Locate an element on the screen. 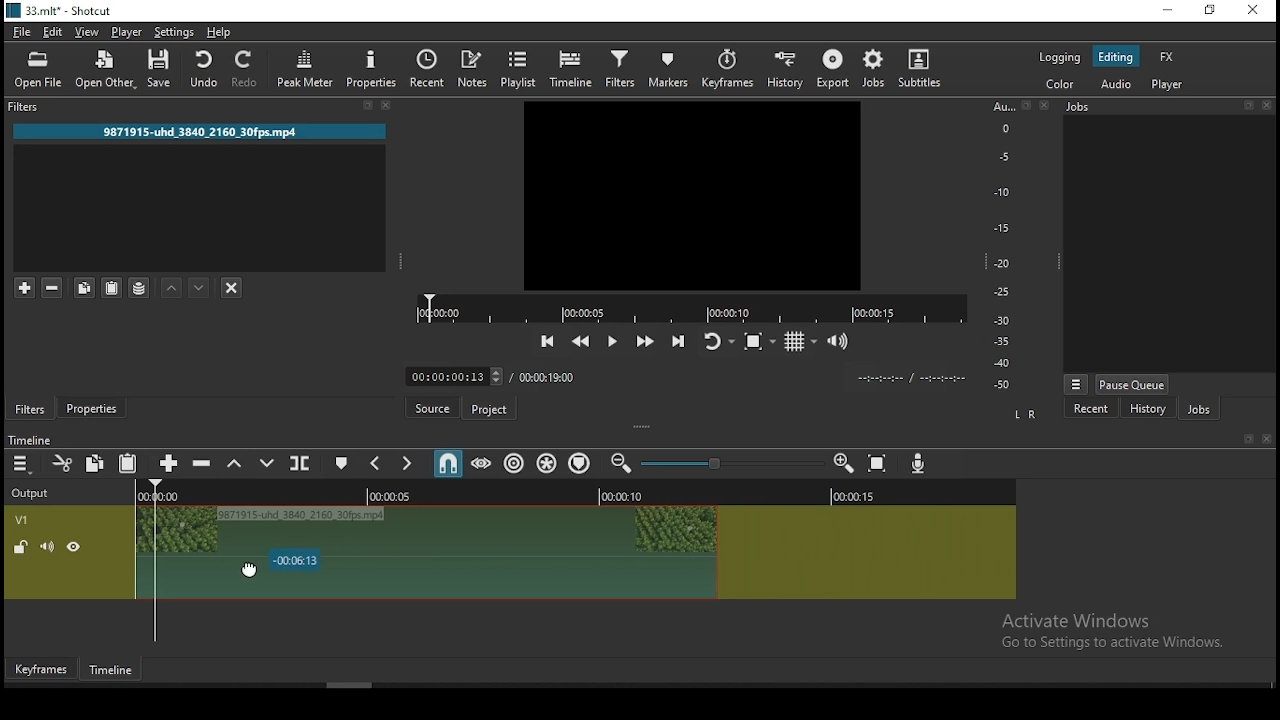  9871915-uhd 3840 2160_30fps.mp4 is located at coordinates (202, 131).